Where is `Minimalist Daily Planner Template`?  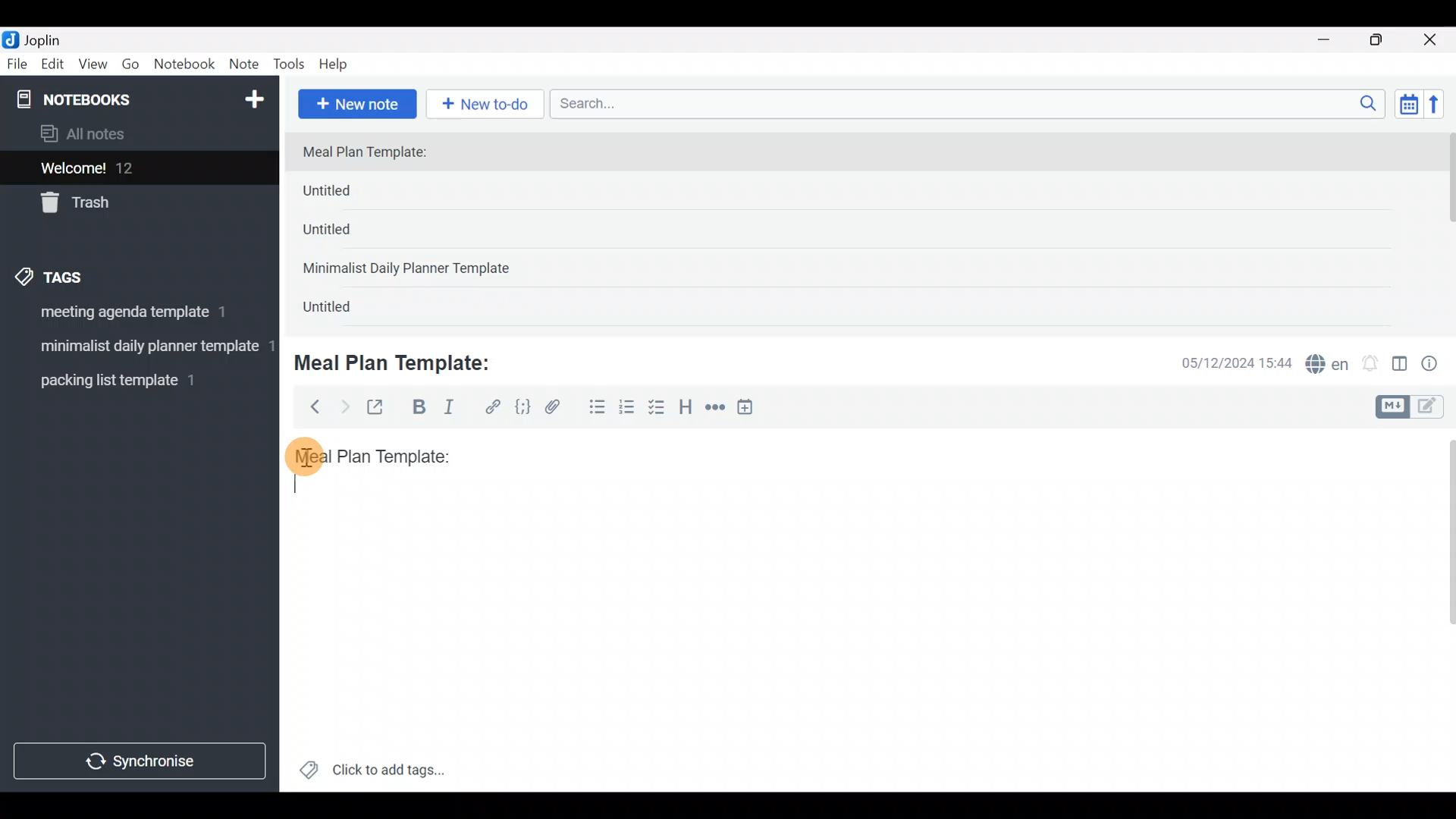 Minimalist Daily Planner Template is located at coordinates (411, 270).